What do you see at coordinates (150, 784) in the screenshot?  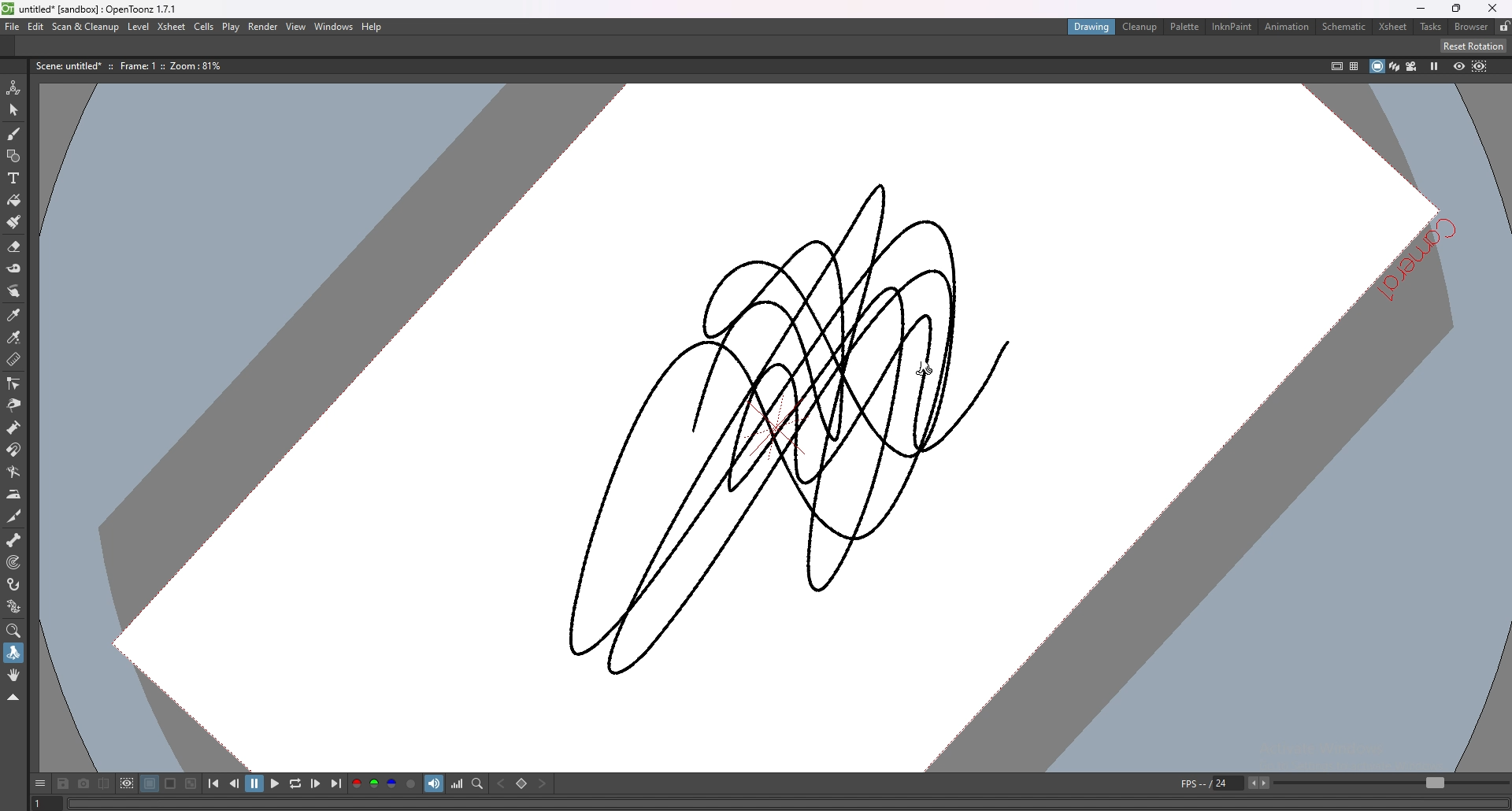 I see `black background` at bounding box center [150, 784].